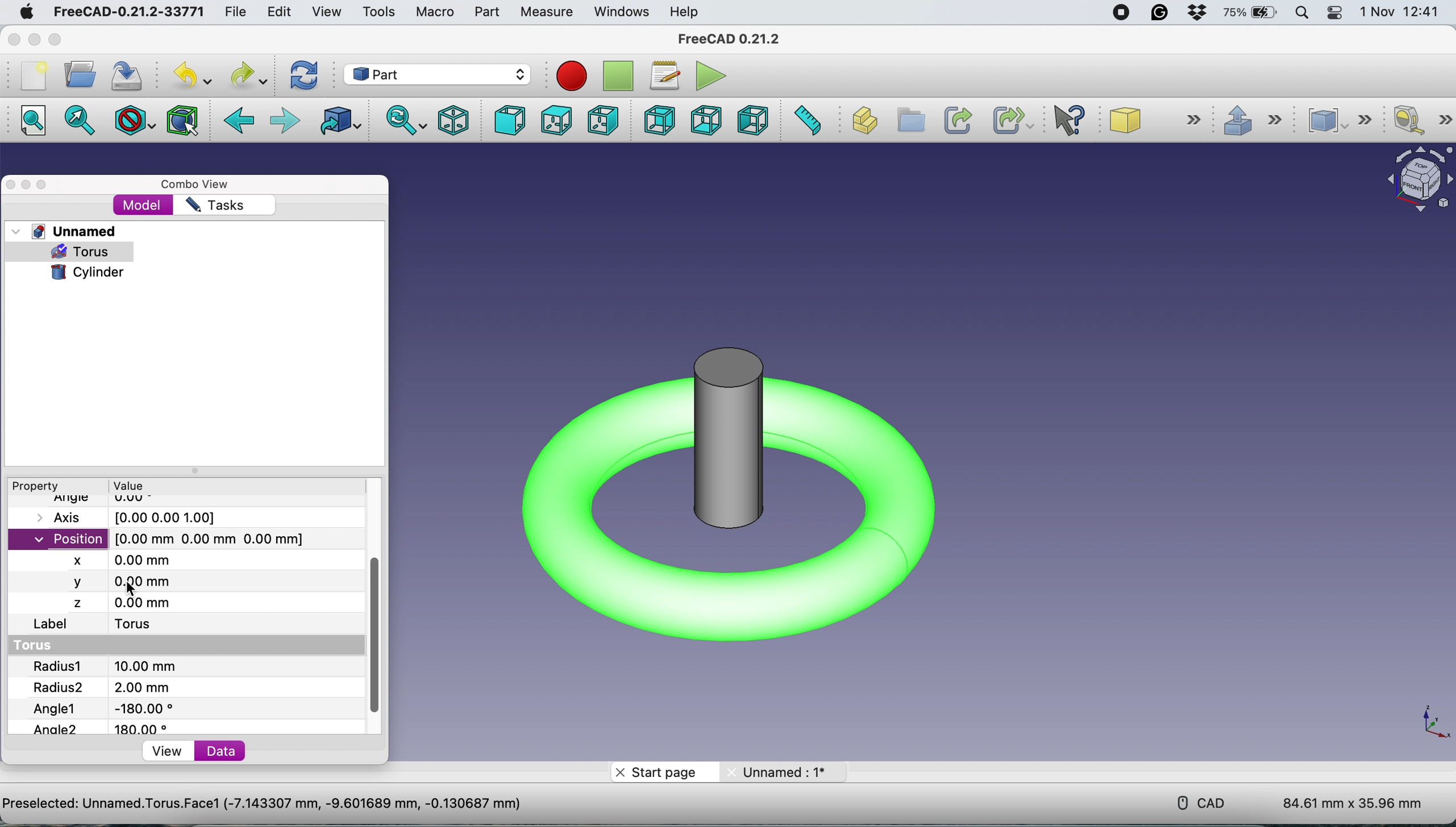  Describe the element at coordinates (437, 73) in the screenshot. I see `workbench` at that location.